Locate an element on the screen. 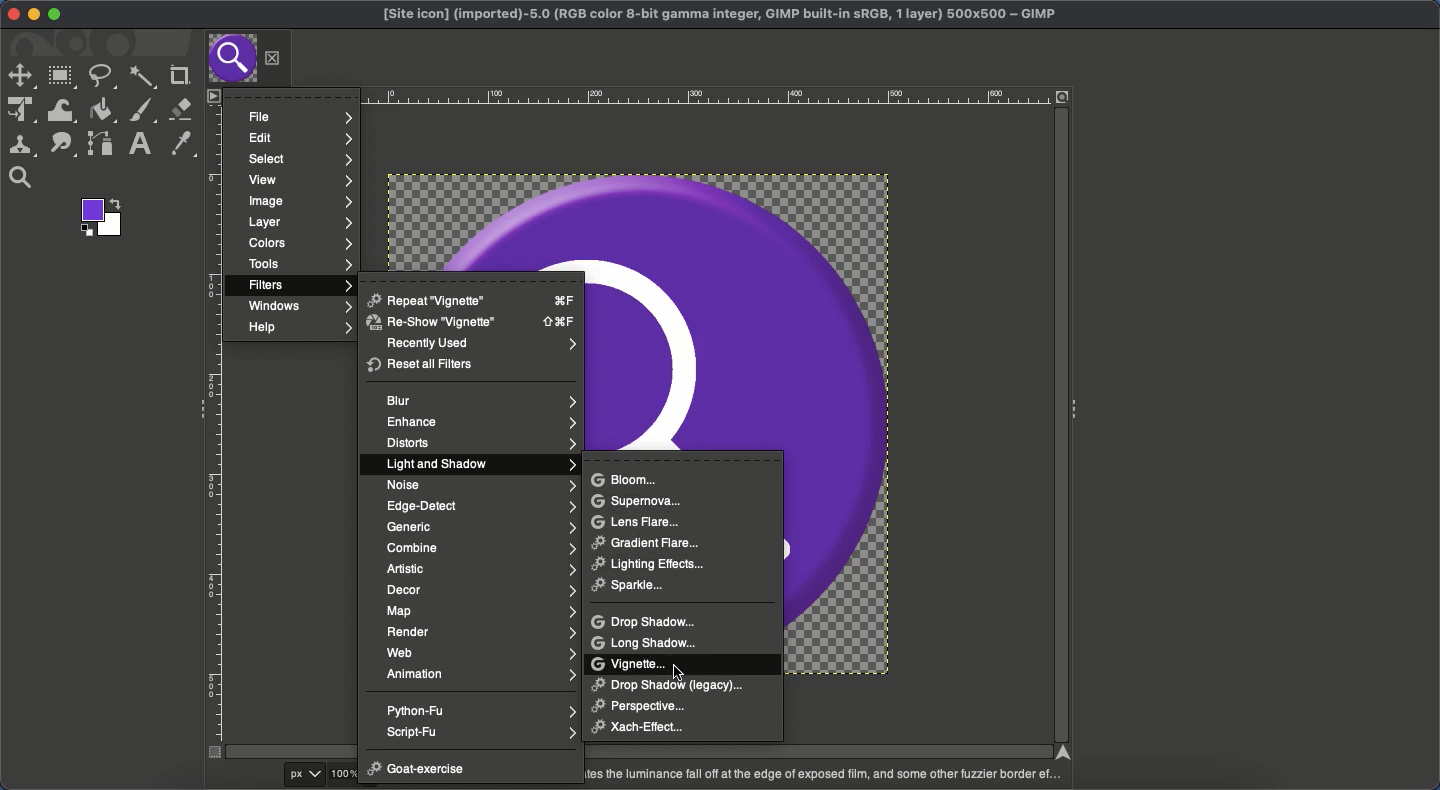  Rectangular selector is located at coordinates (62, 78).